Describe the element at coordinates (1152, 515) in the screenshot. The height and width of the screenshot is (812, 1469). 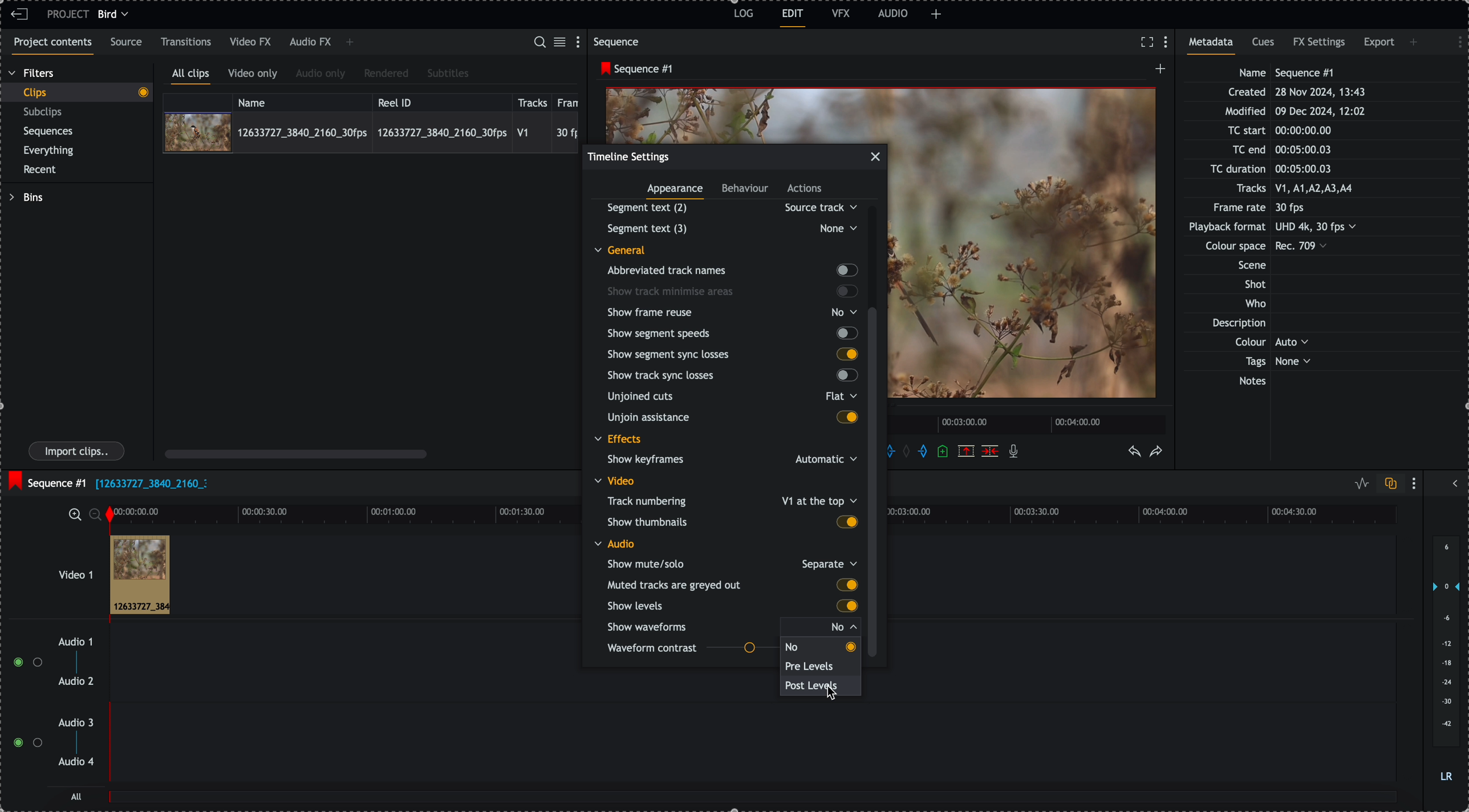
I see `timeline` at that location.